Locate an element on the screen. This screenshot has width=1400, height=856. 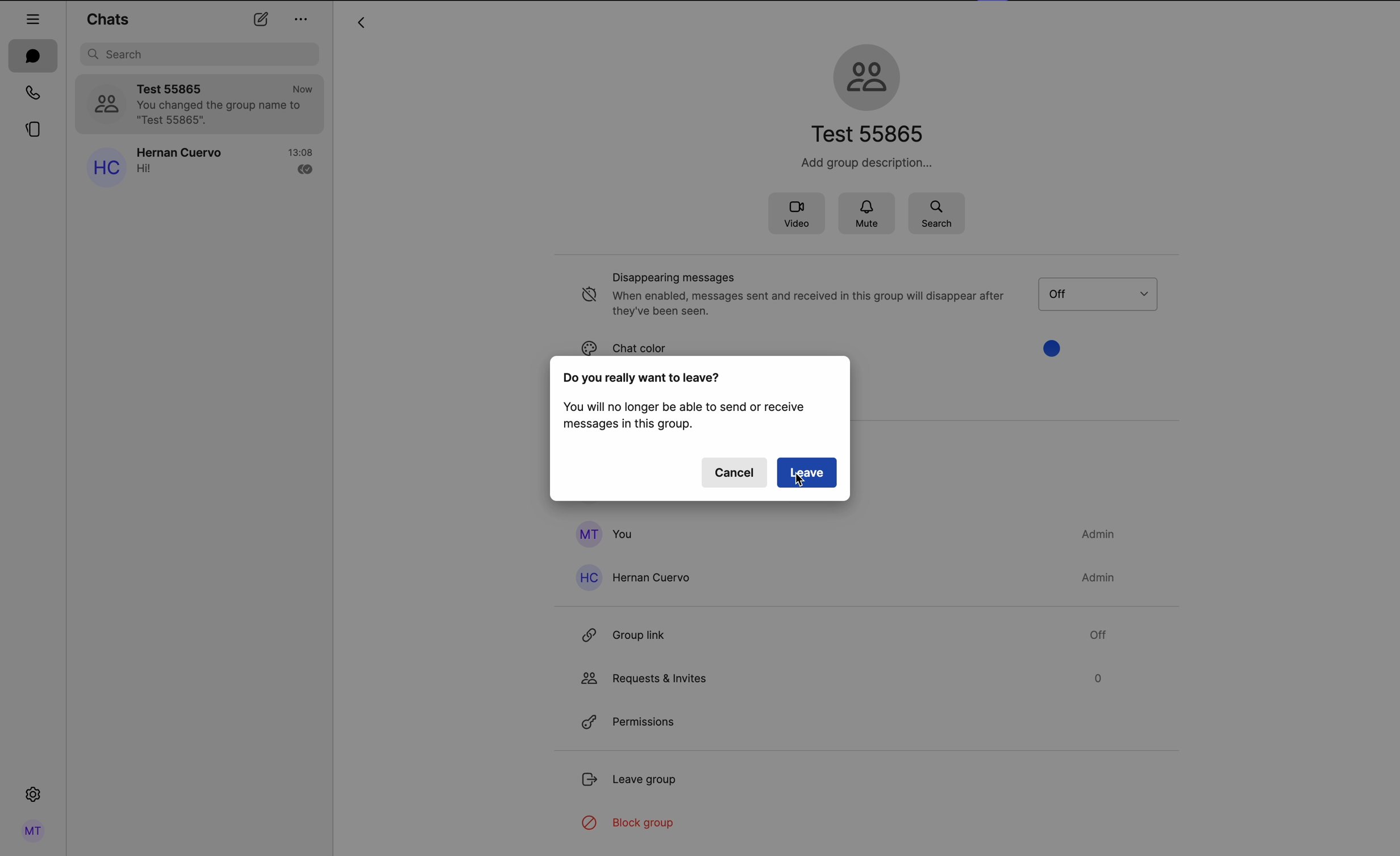
group link off is located at coordinates (843, 631).